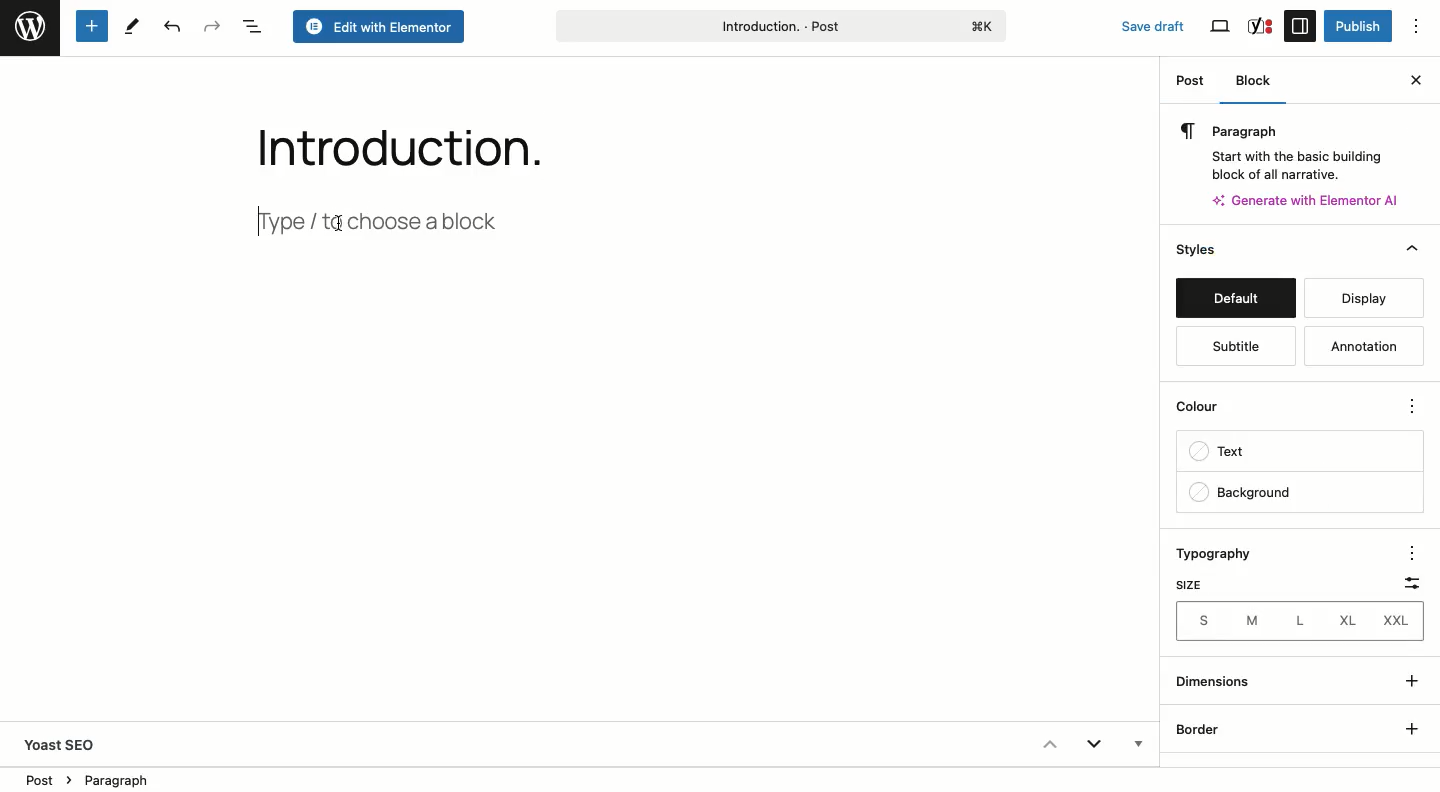 The height and width of the screenshot is (792, 1440). What do you see at coordinates (1406, 579) in the screenshot?
I see `Scale` at bounding box center [1406, 579].